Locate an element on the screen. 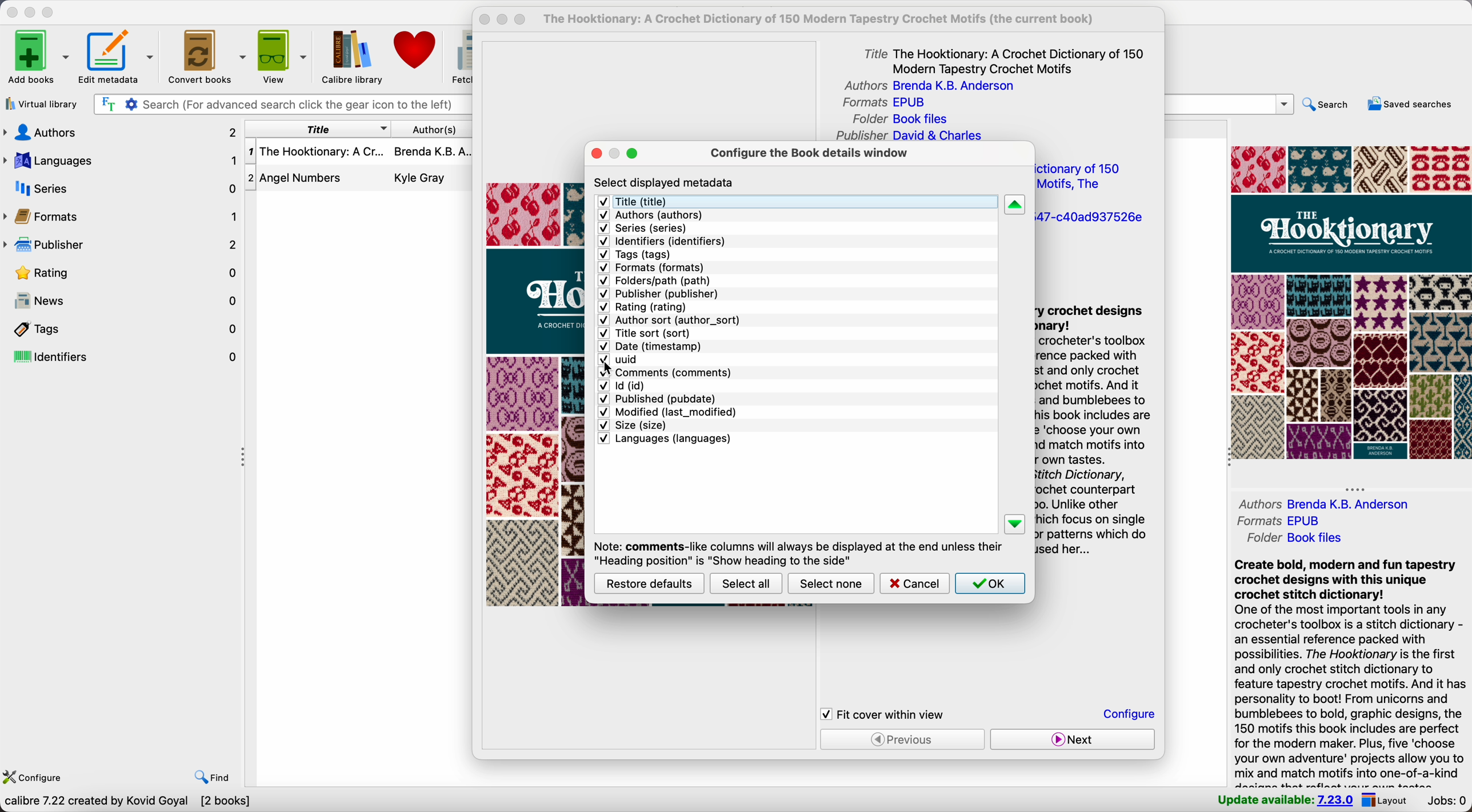  modified is located at coordinates (667, 412).